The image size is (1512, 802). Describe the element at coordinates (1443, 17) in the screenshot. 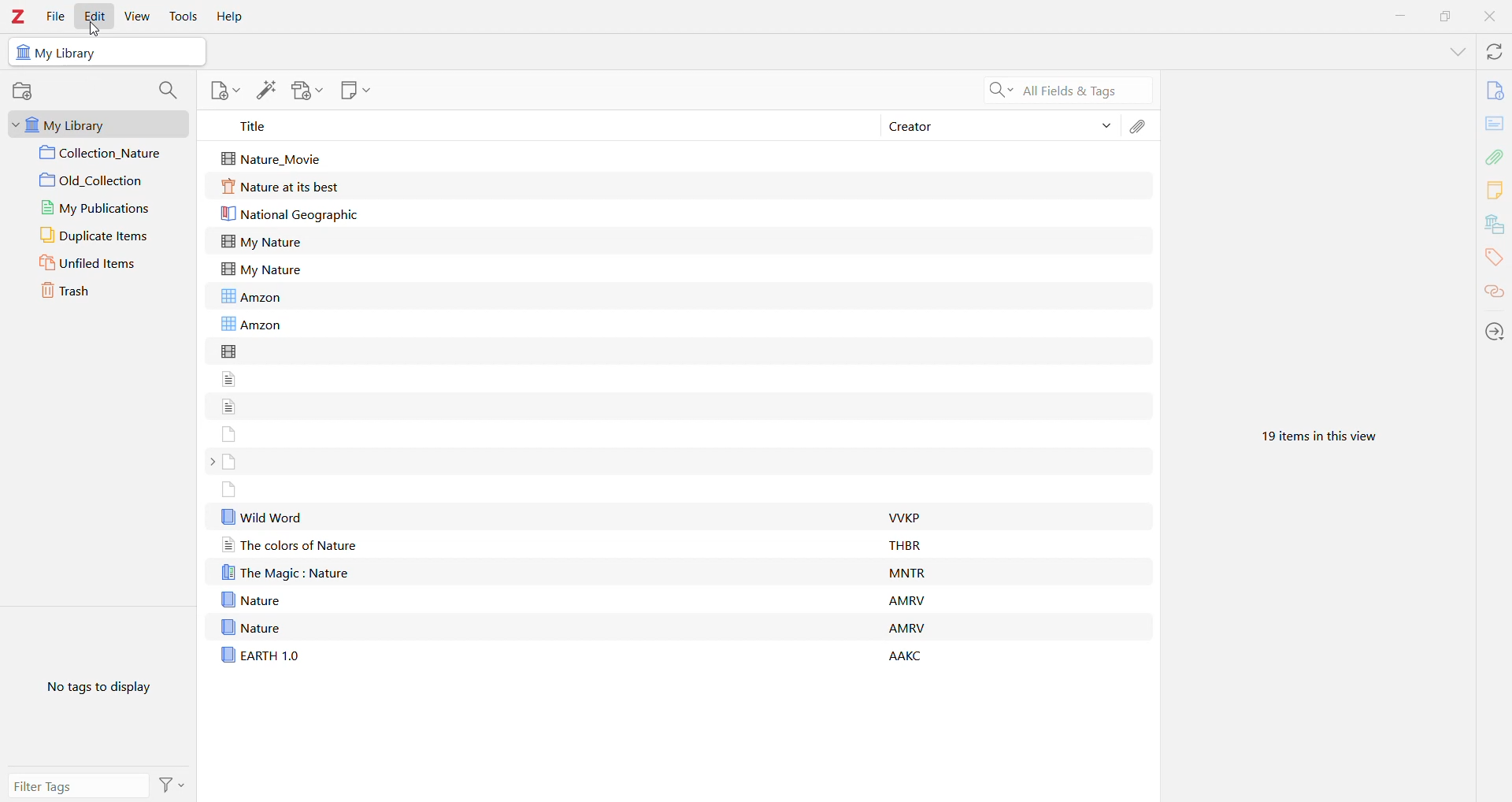

I see `Restore Down` at that location.